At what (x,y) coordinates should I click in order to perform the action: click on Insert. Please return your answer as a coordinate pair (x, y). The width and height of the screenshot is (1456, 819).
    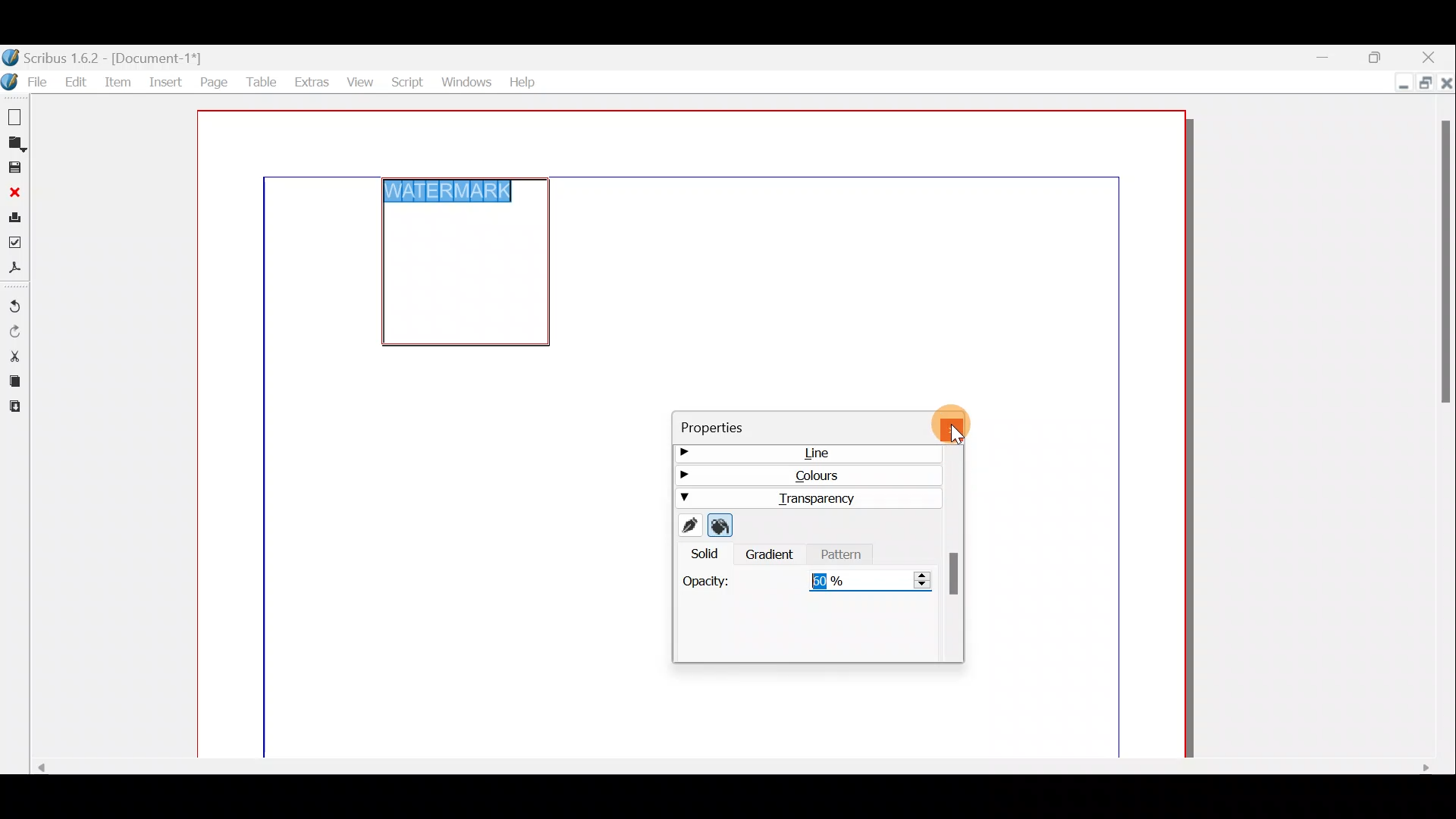
    Looking at the image, I should click on (166, 80).